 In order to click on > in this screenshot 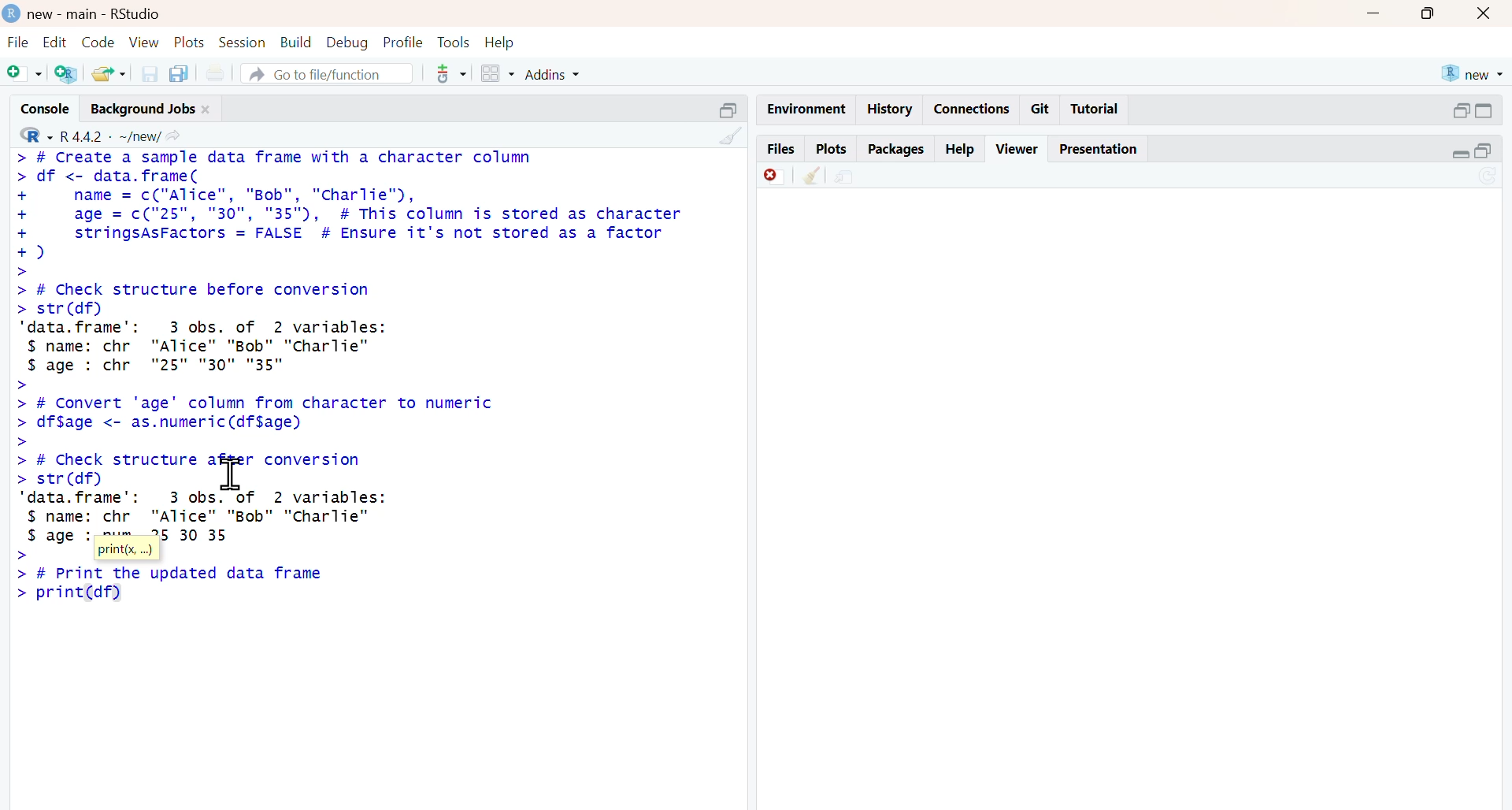, I will do `click(19, 555)`.